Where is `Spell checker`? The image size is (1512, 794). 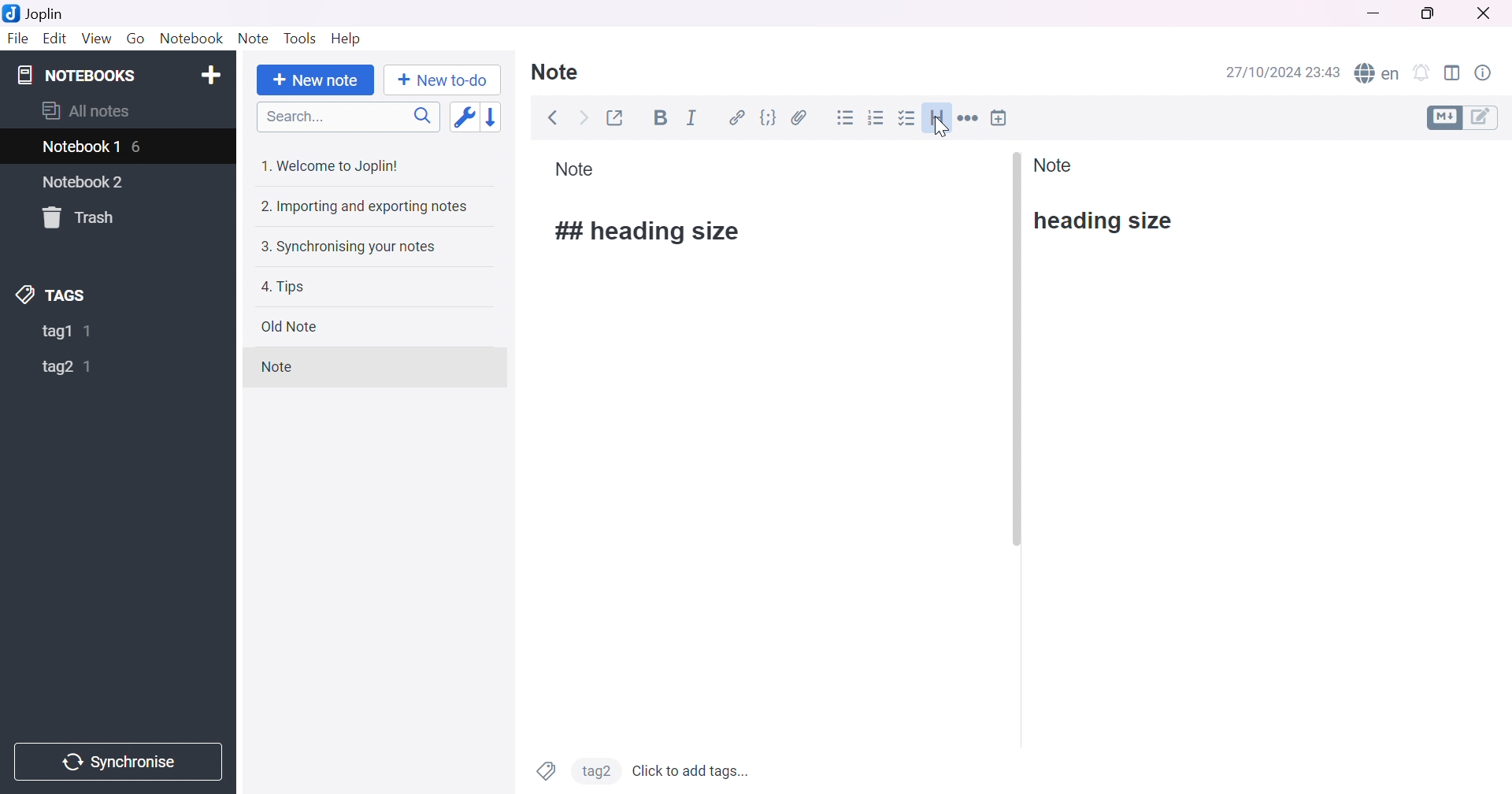
Spell checker is located at coordinates (1377, 75).